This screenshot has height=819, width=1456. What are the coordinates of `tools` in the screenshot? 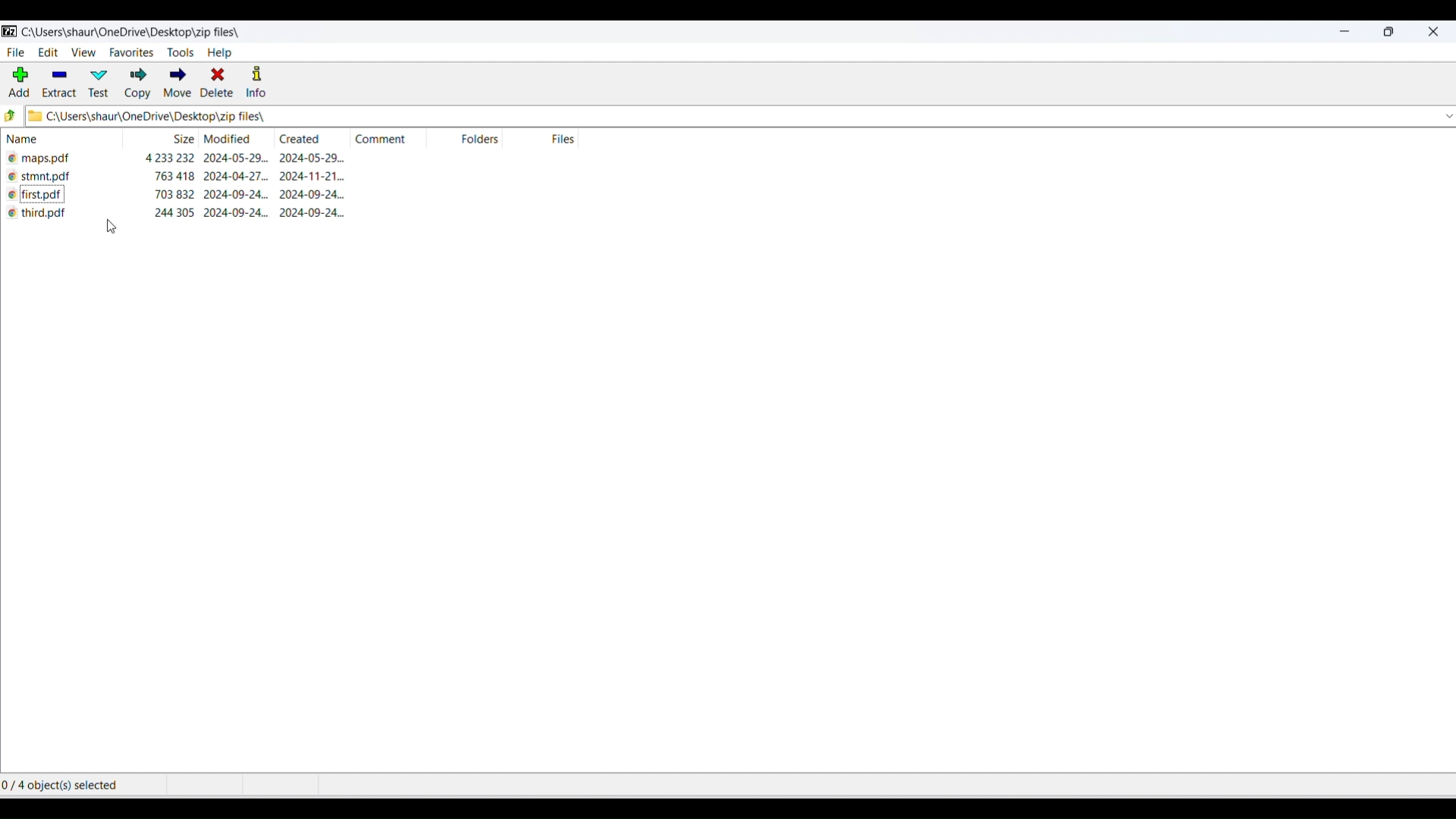 It's located at (176, 53).